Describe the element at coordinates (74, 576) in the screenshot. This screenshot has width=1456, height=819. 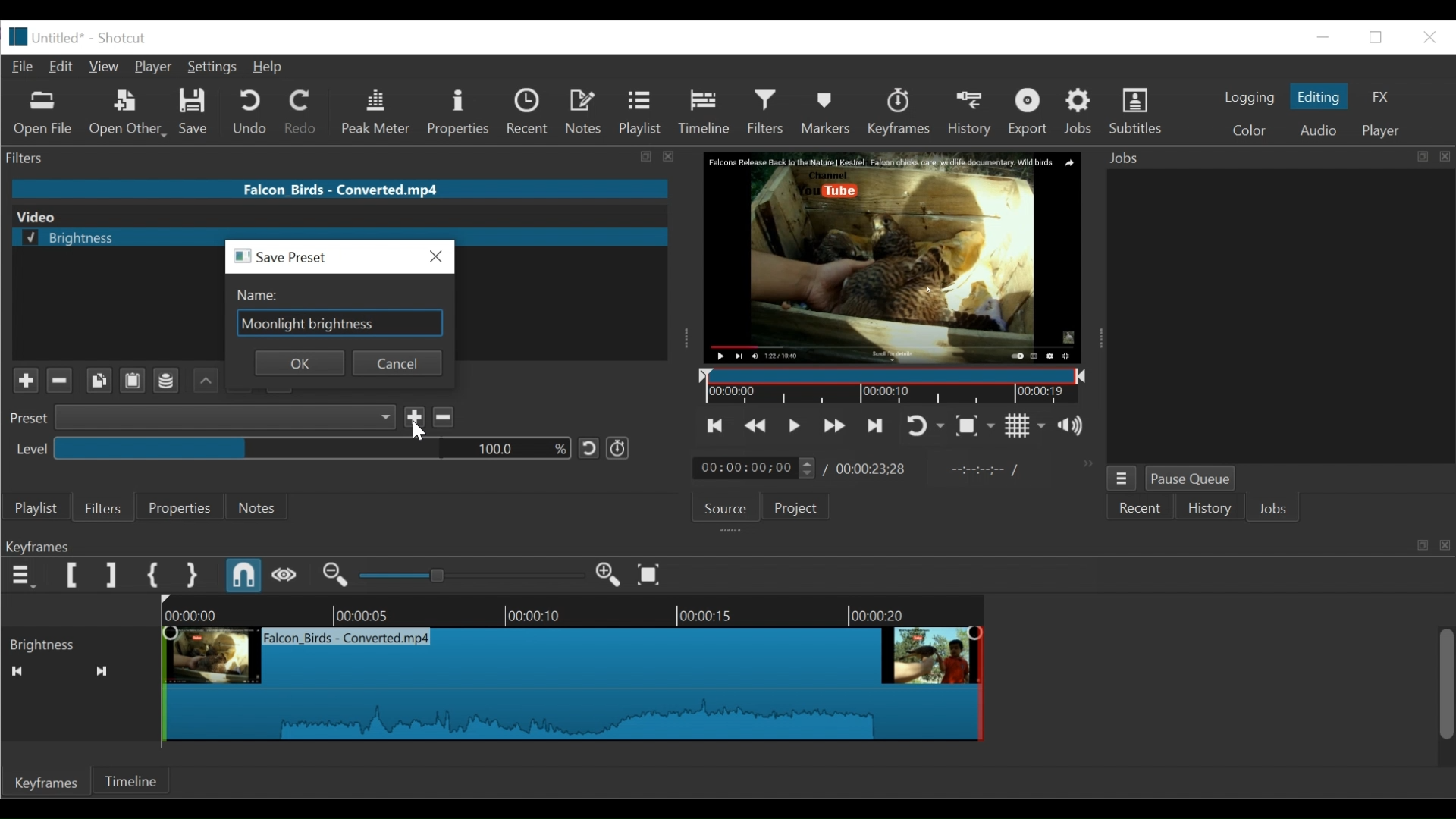
I see `Set Filter First` at that location.